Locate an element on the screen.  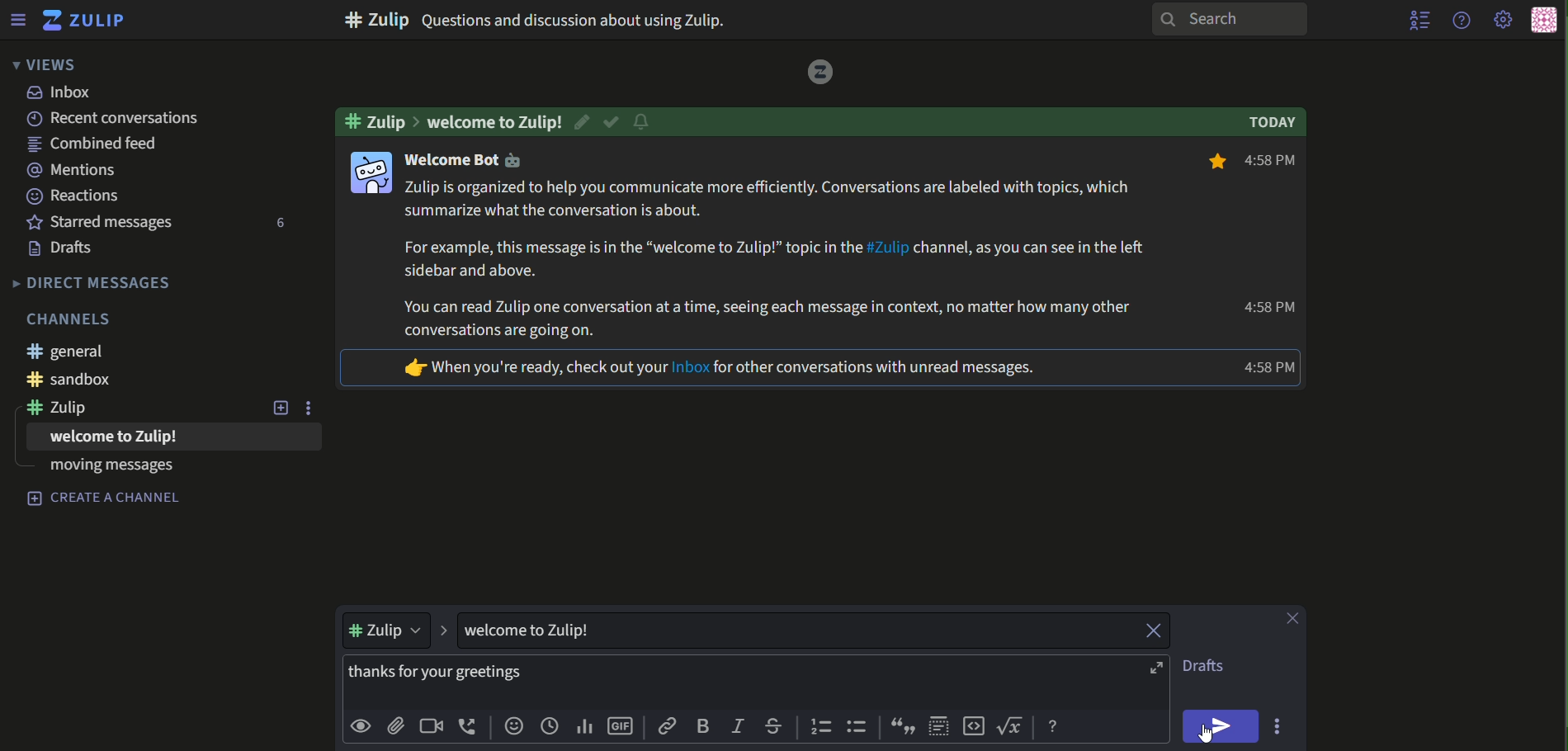
text is located at coordinates (1276, 123).